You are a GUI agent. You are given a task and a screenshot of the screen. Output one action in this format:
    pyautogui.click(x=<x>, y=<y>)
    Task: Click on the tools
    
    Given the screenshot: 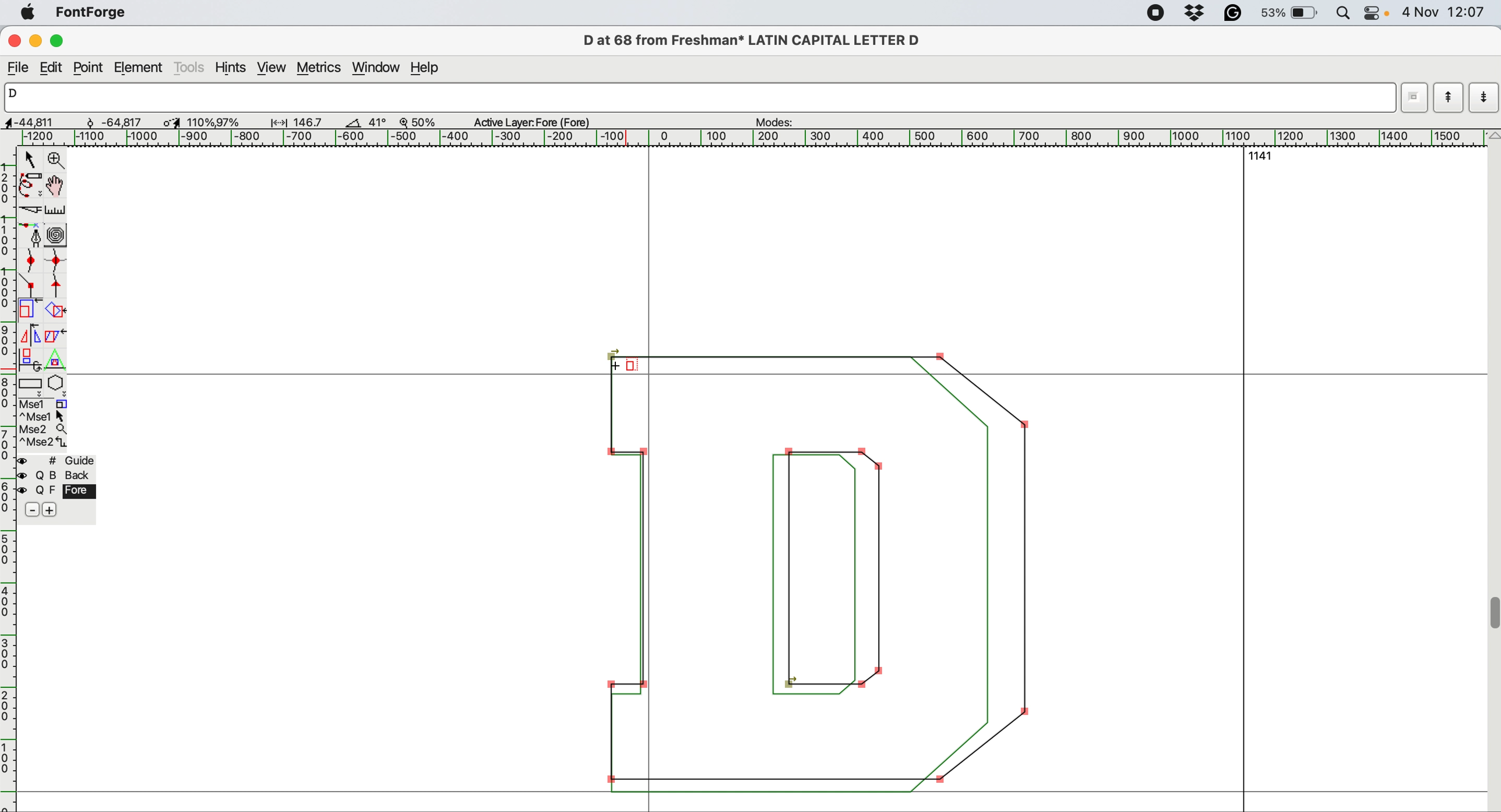 What is the action you would take?
    pyautogui.click(x=190, y=68)
    